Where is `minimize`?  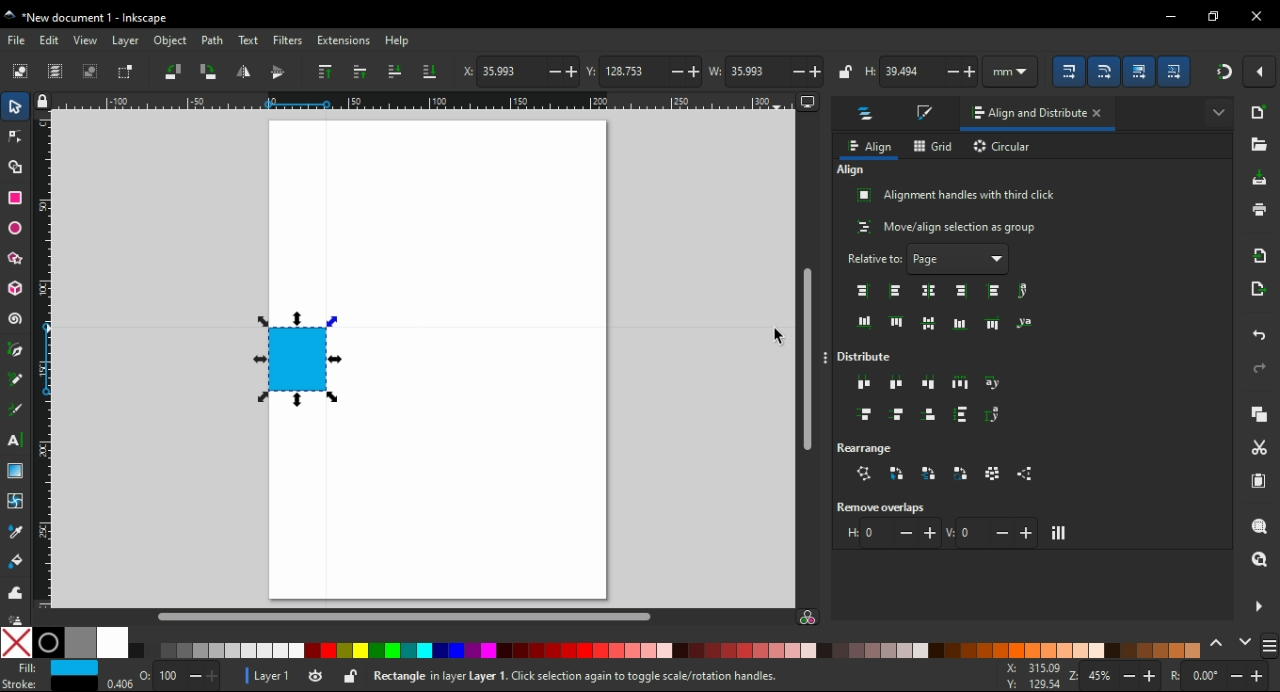 minimize is located at coordinates (1168, 17).